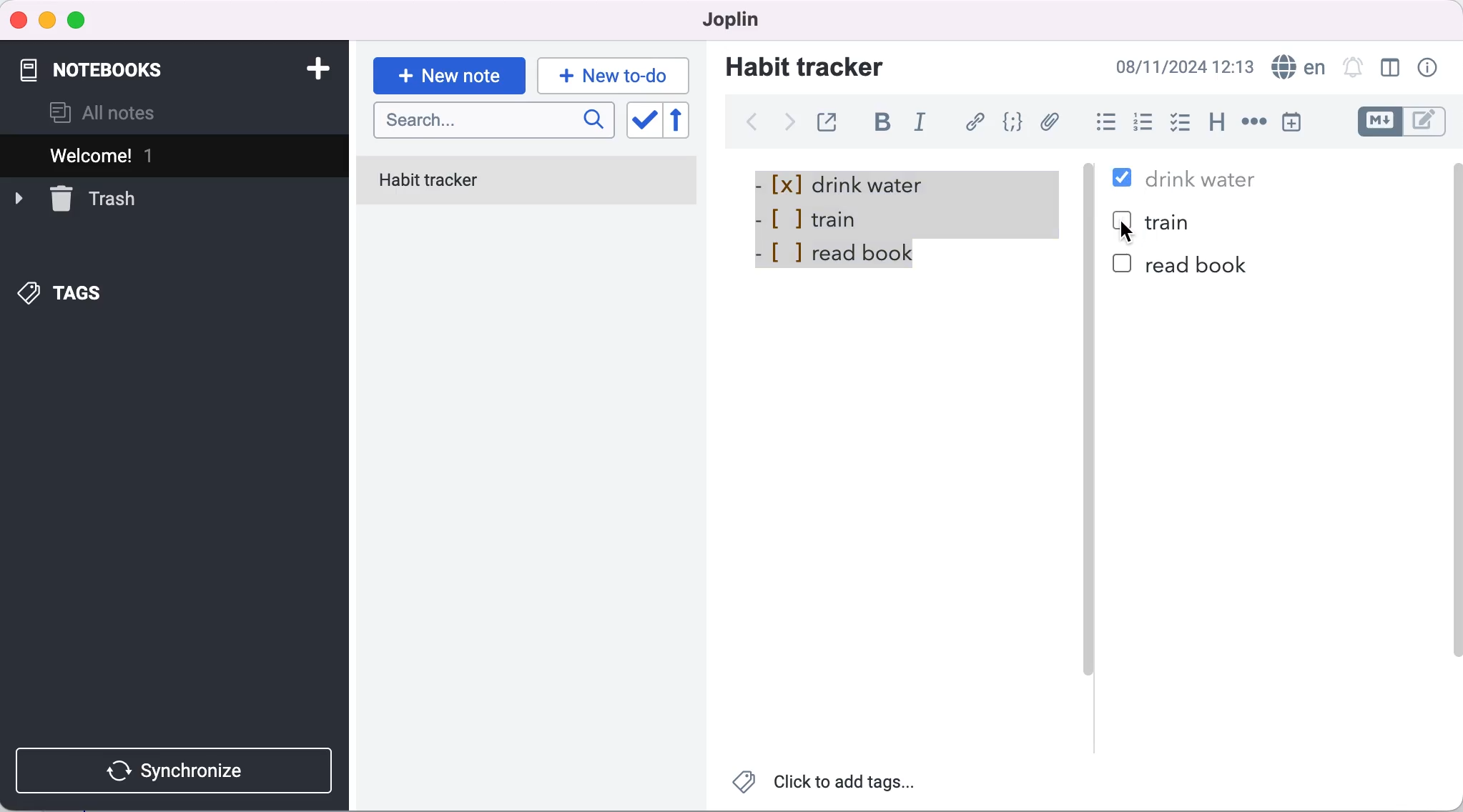  What do you see at coordinates (977, 122) in the screenshot?
I see `hyperlink` at bounding box center [977, 122].